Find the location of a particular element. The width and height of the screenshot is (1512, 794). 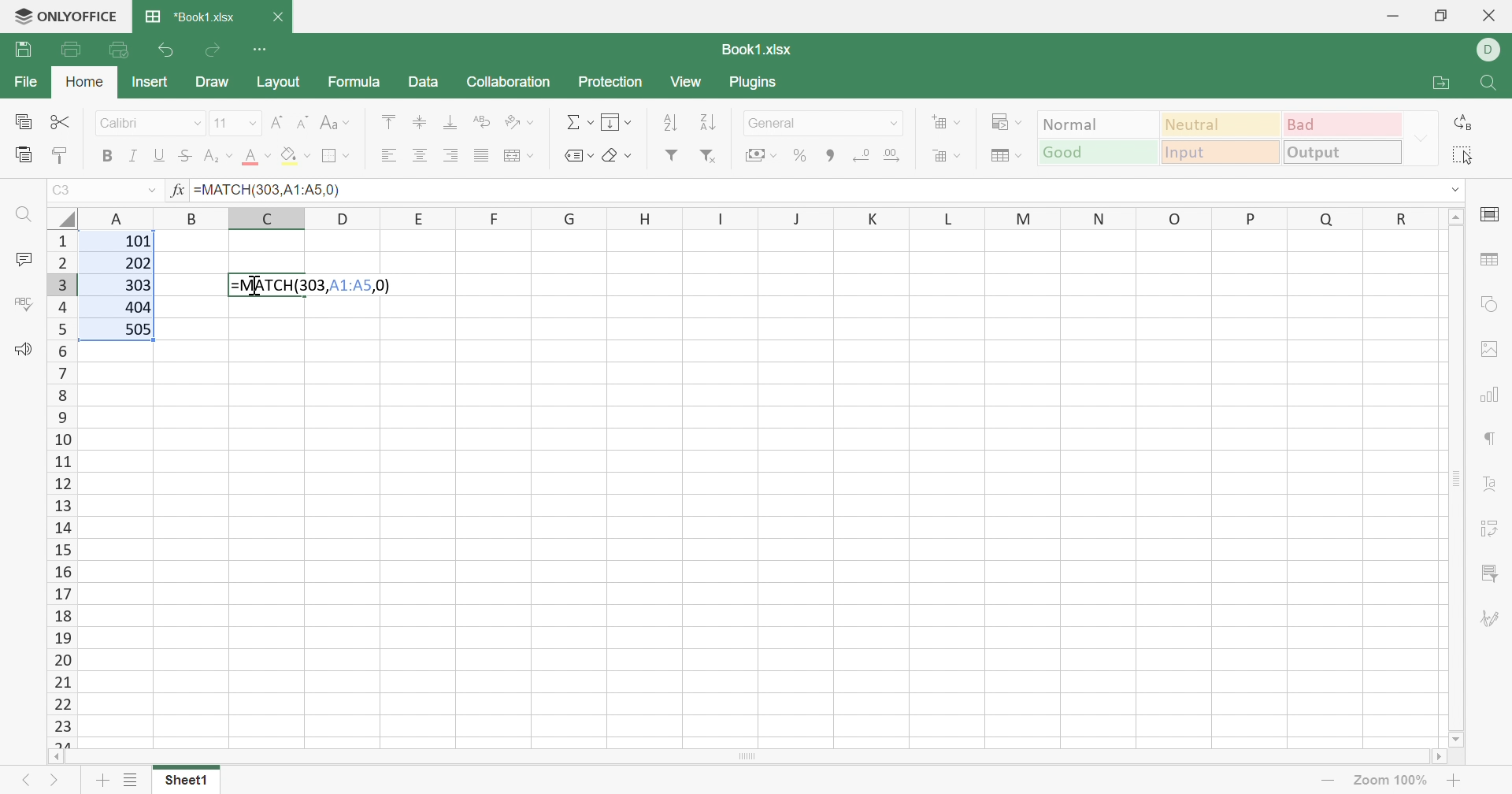

Cursor is located at coordinates (258, 284).